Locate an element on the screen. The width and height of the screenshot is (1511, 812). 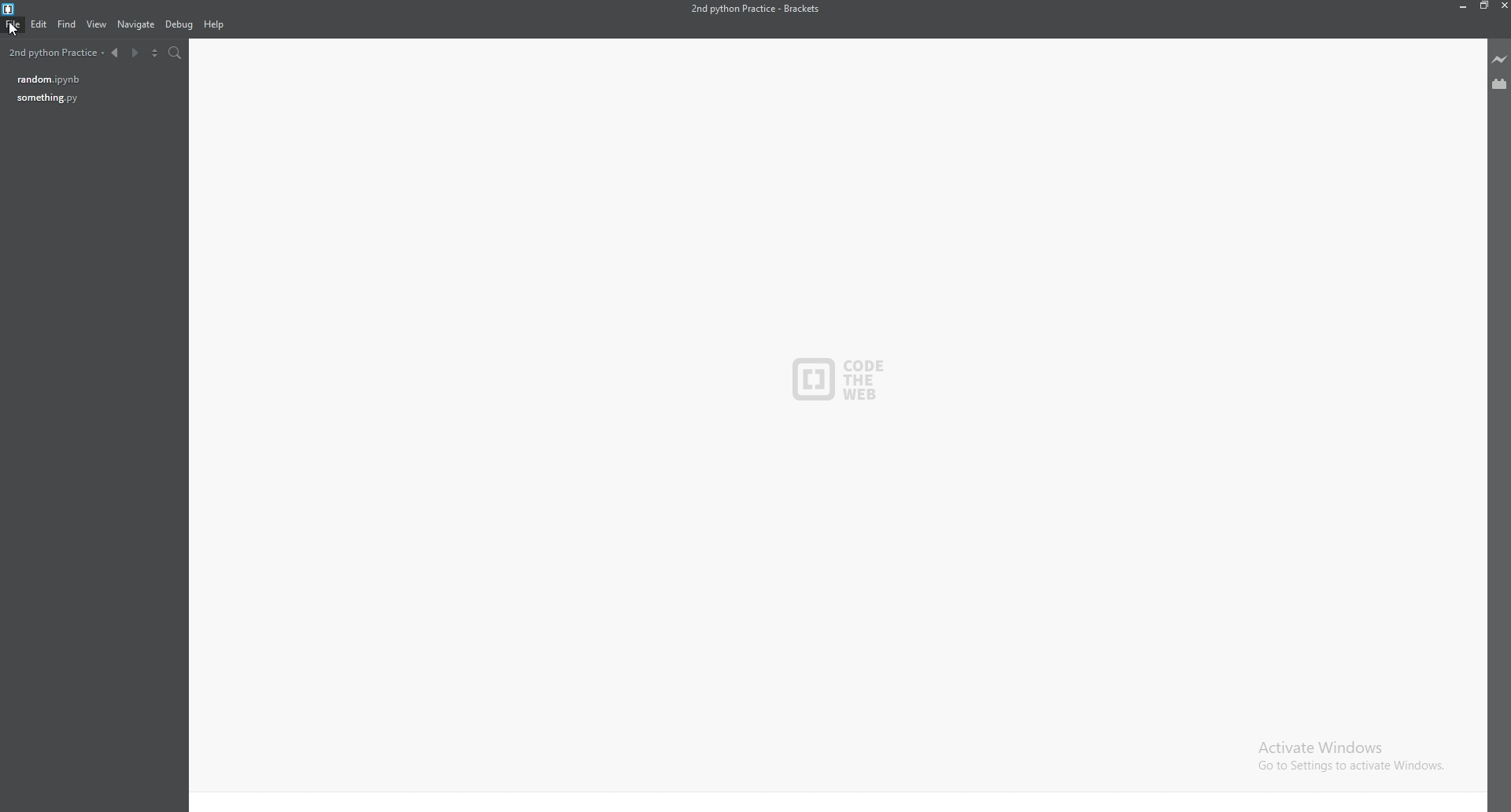
search is located at coordinates (175, 53).